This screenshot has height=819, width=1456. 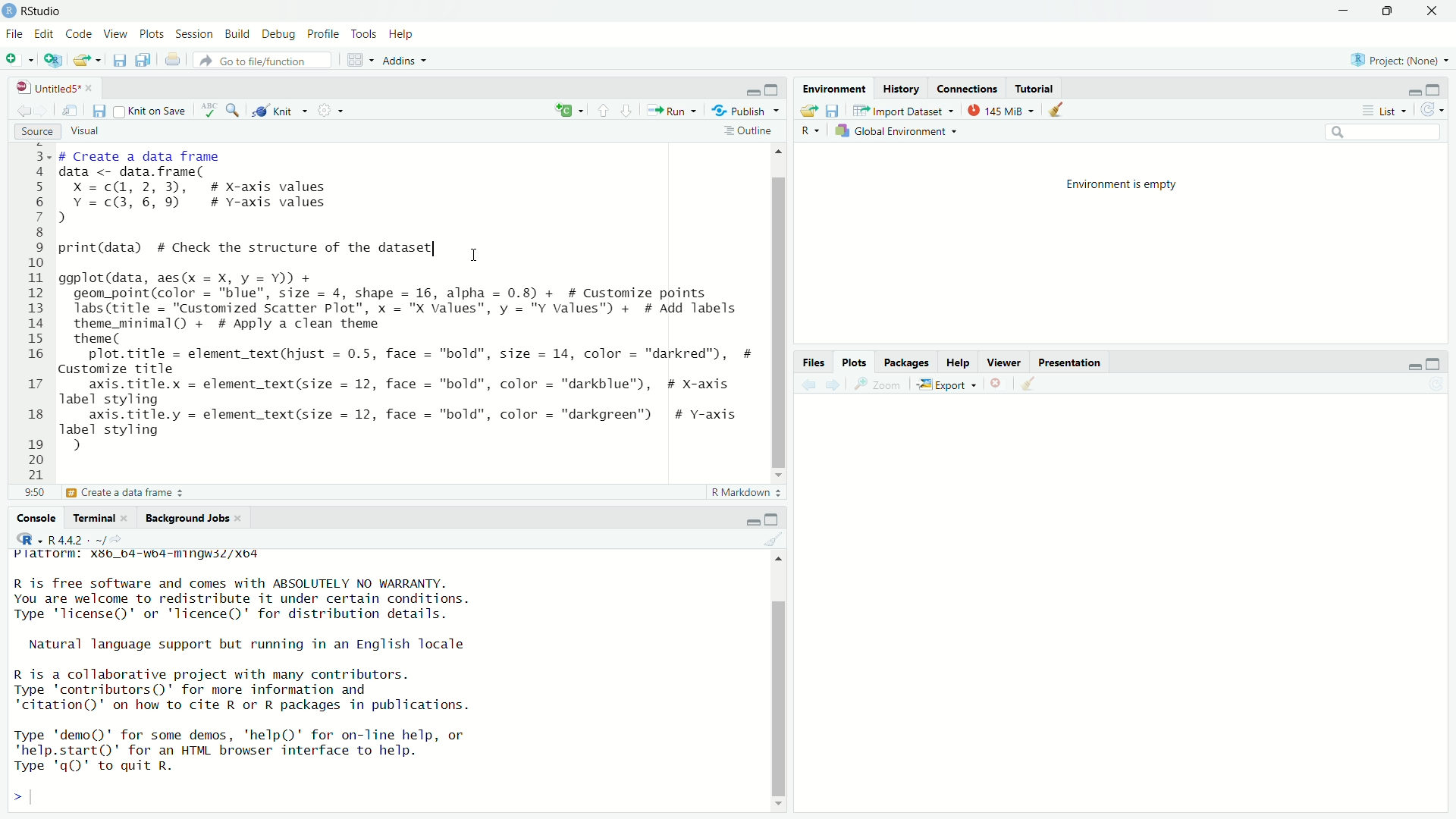 What do you see at coordinates (17, 58) in the screenshot?
I see `New File` at bounding box center [17, 58].